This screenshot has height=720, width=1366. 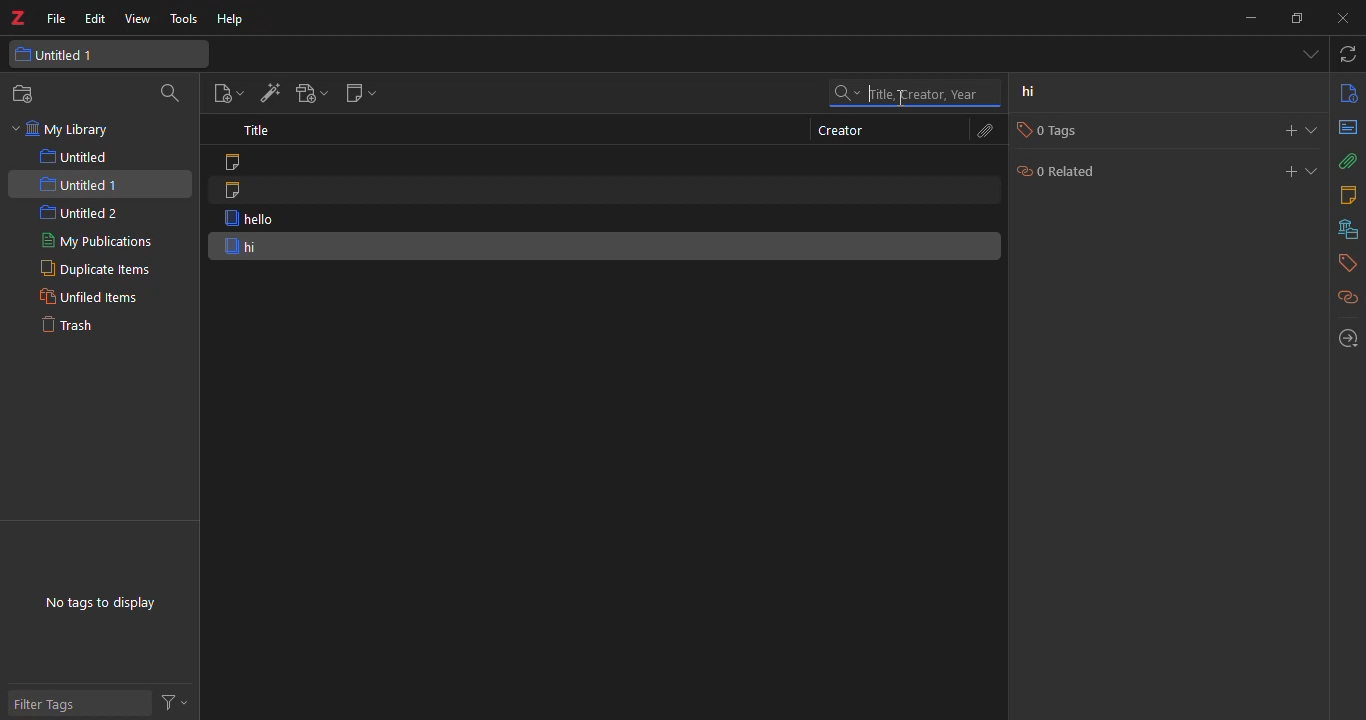 I want to click on add attach, so click(x=310, y=96).